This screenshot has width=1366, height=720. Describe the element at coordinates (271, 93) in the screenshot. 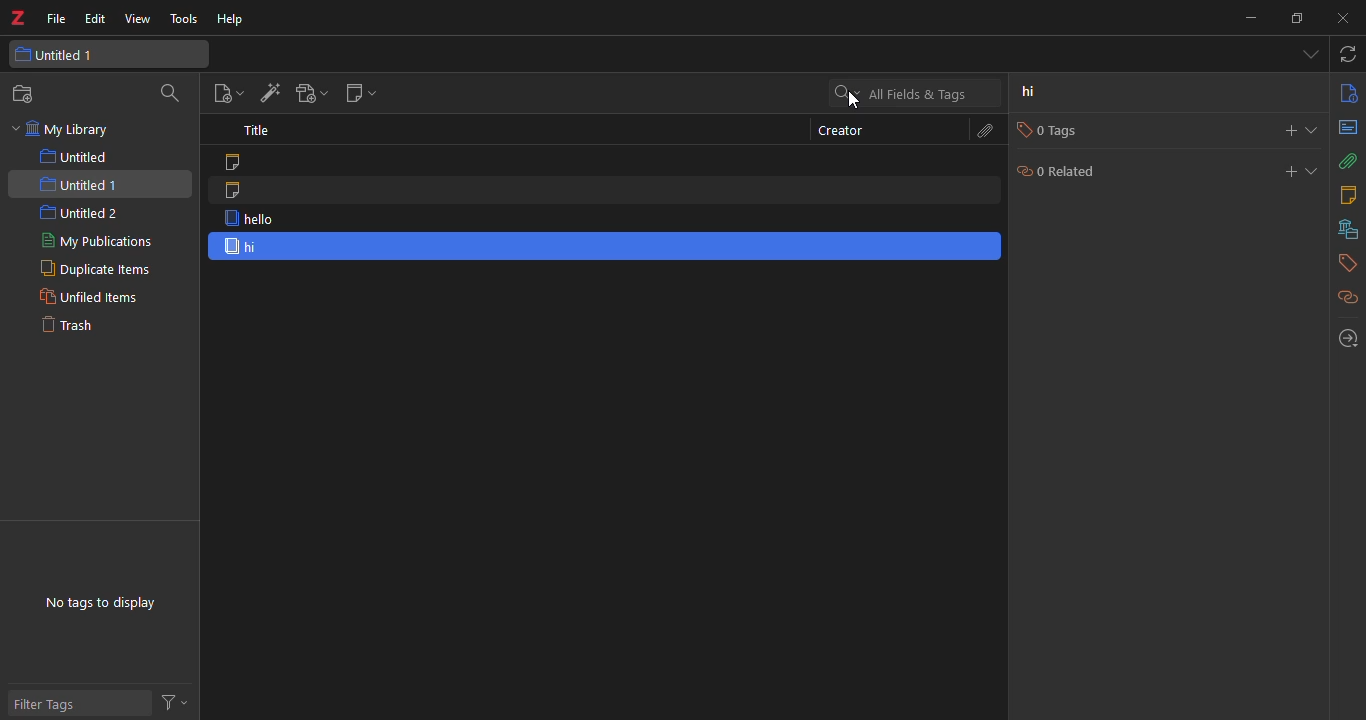

I see `add item` at that location.